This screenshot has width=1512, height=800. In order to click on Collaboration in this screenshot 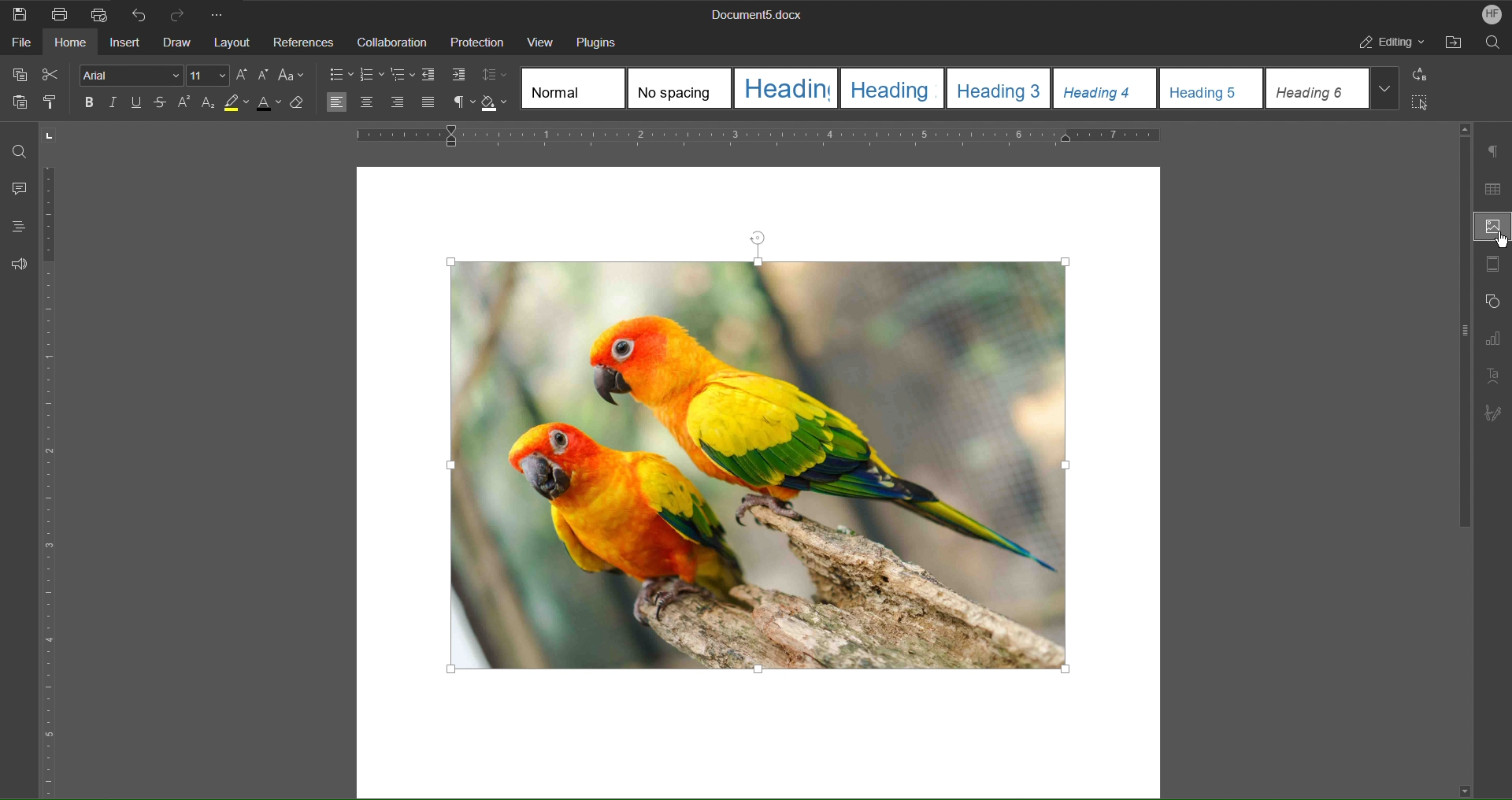, I will do `click(390, 42)`.